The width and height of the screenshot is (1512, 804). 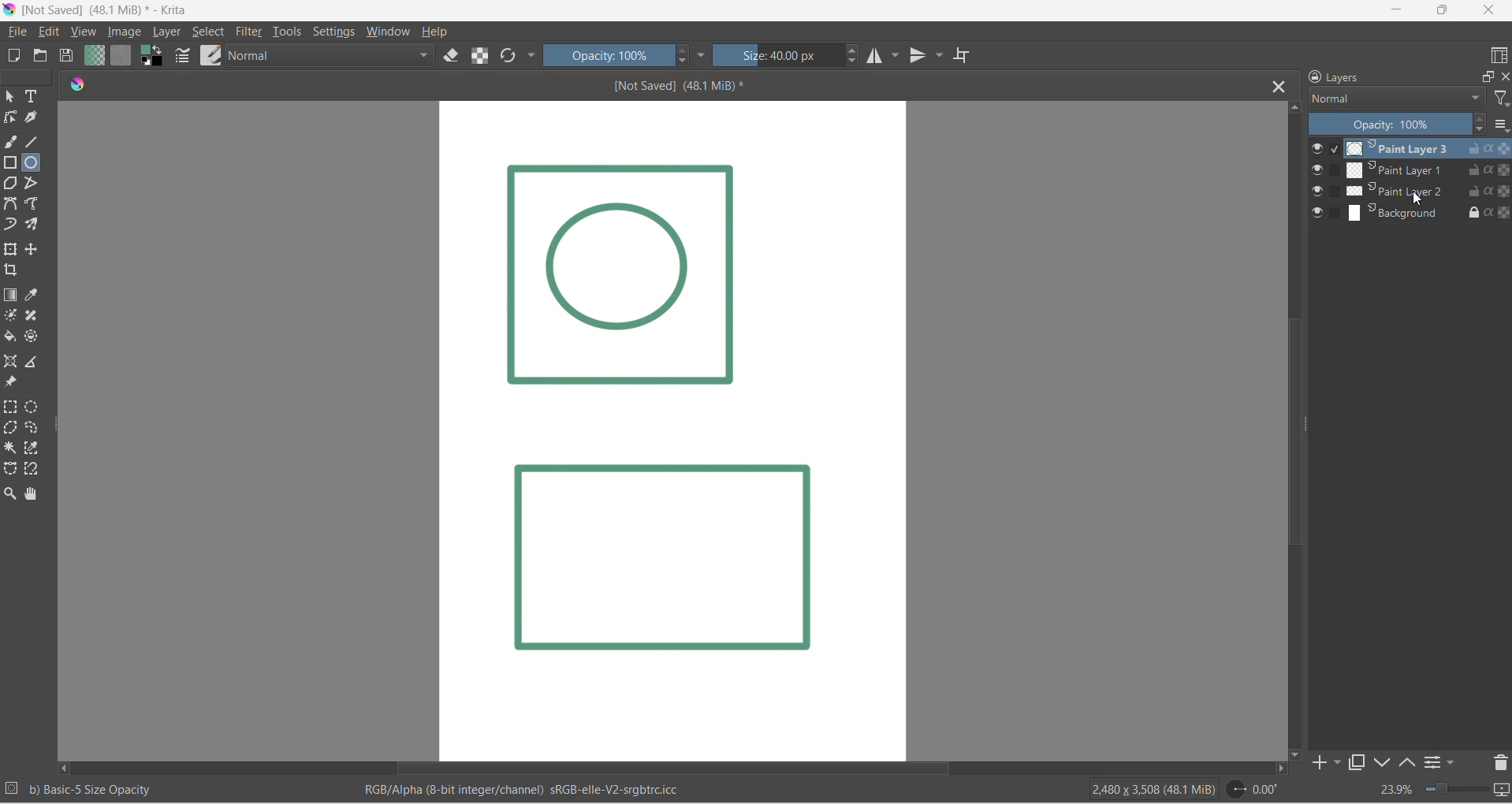 What do you see at coordinates (1419, 199) in the screenshot?
I see `cursor` at bounding box center [1419, 199].